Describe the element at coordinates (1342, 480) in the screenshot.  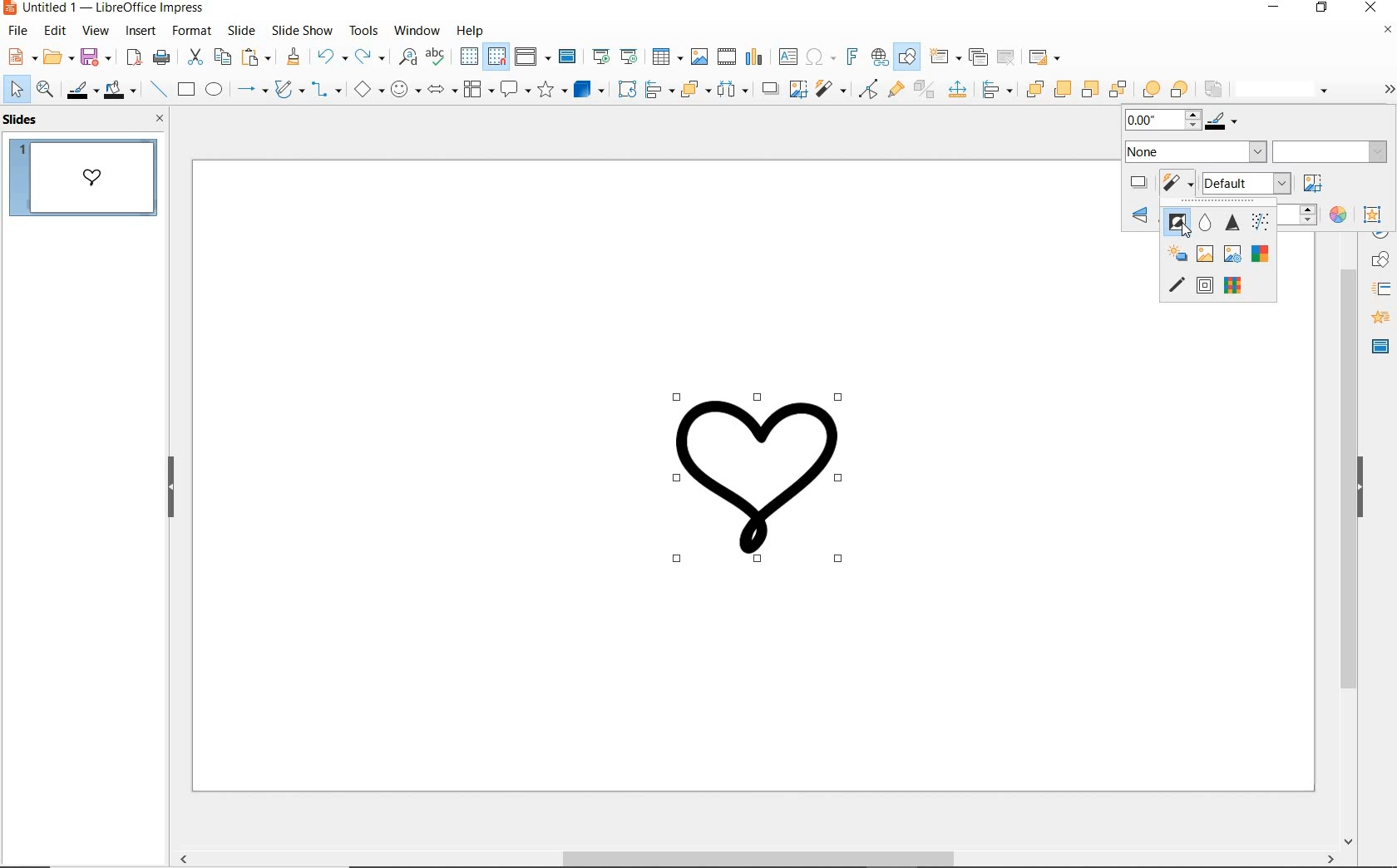
I see `Scroll` at that location.